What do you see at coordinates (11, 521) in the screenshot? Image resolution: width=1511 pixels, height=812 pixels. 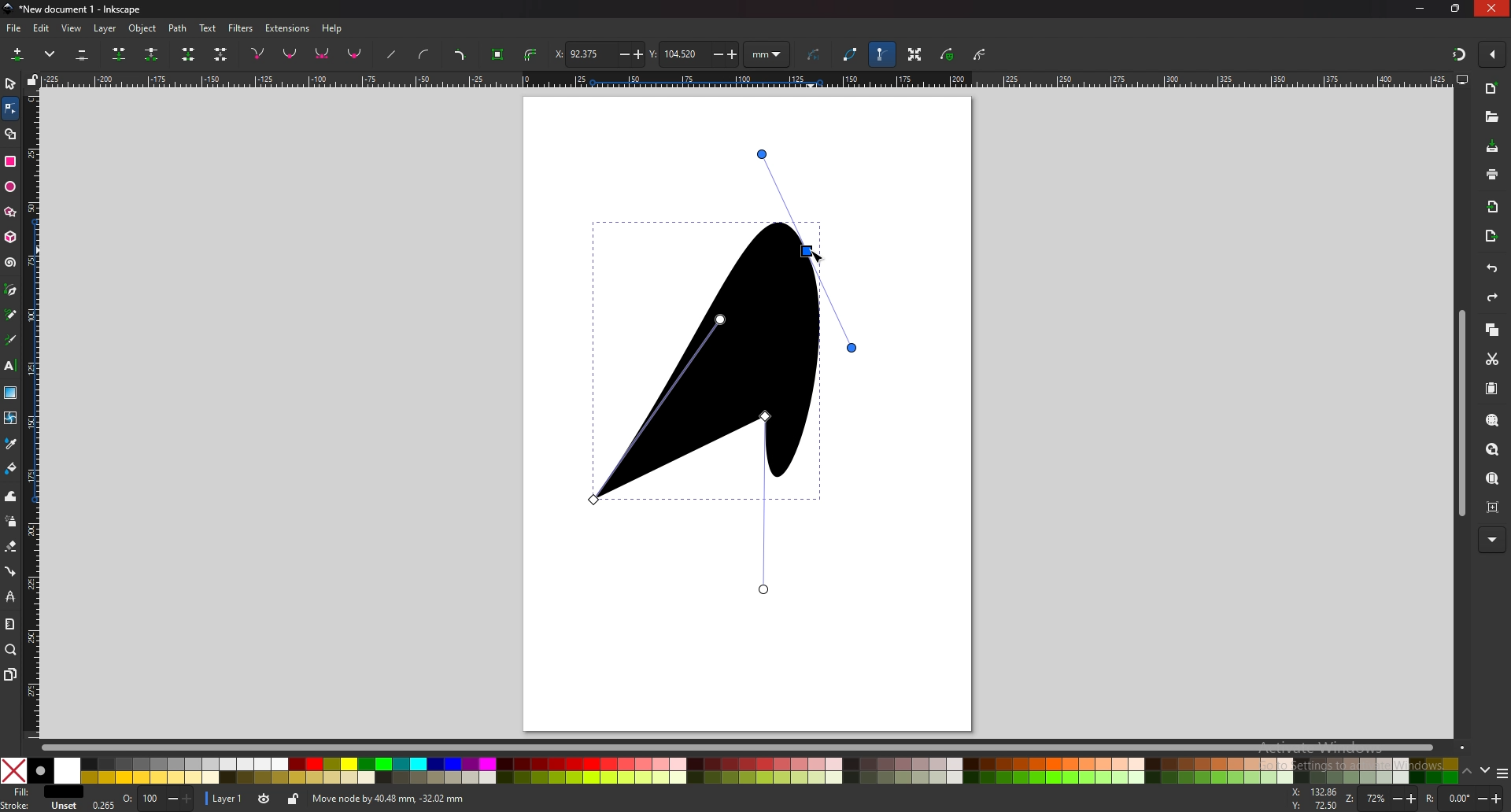 I see `spray` at bounding box center [11, 521].